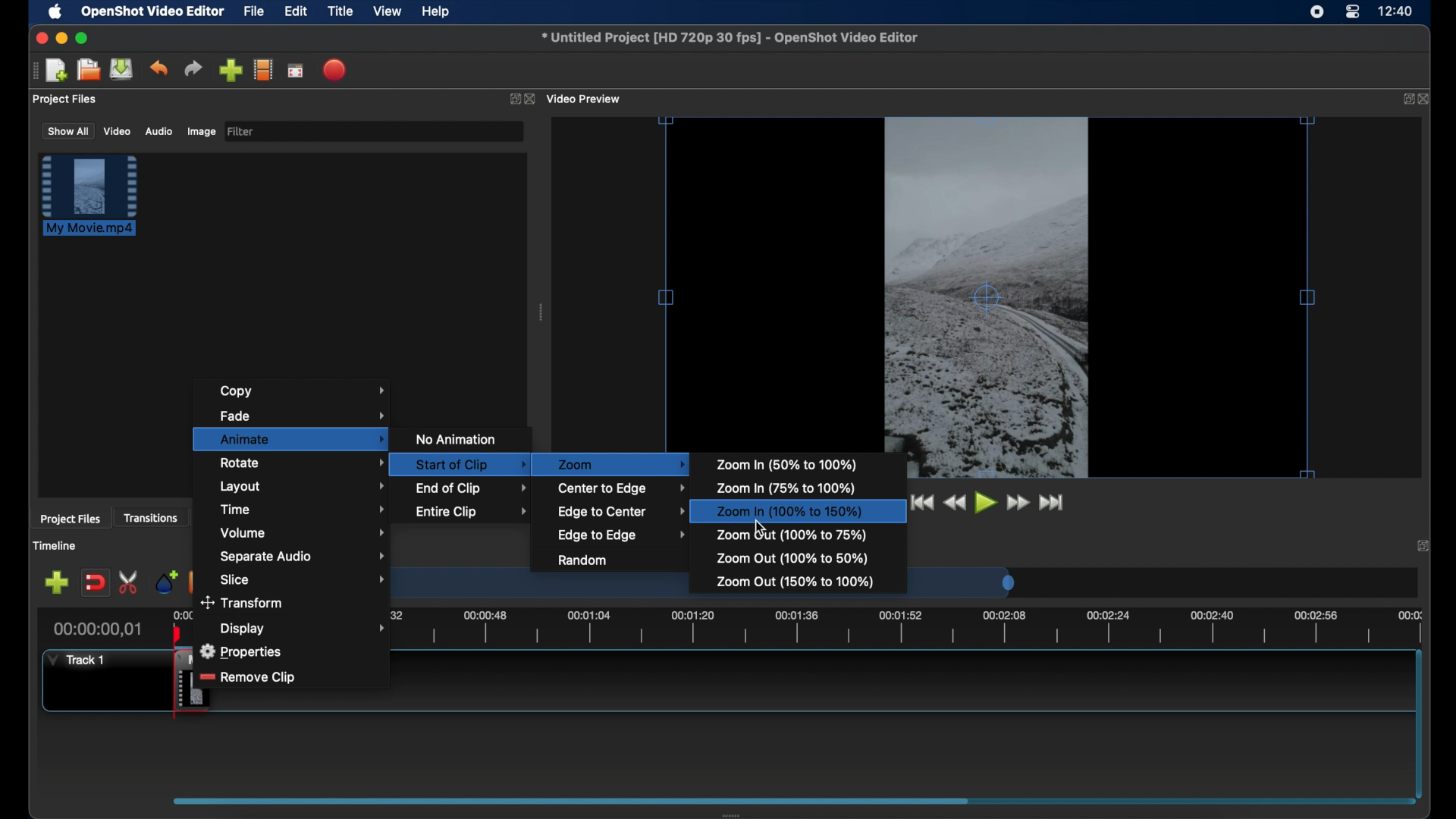 This screenshot has width=1456, height=819. I want to click on image, so click(200, 132).